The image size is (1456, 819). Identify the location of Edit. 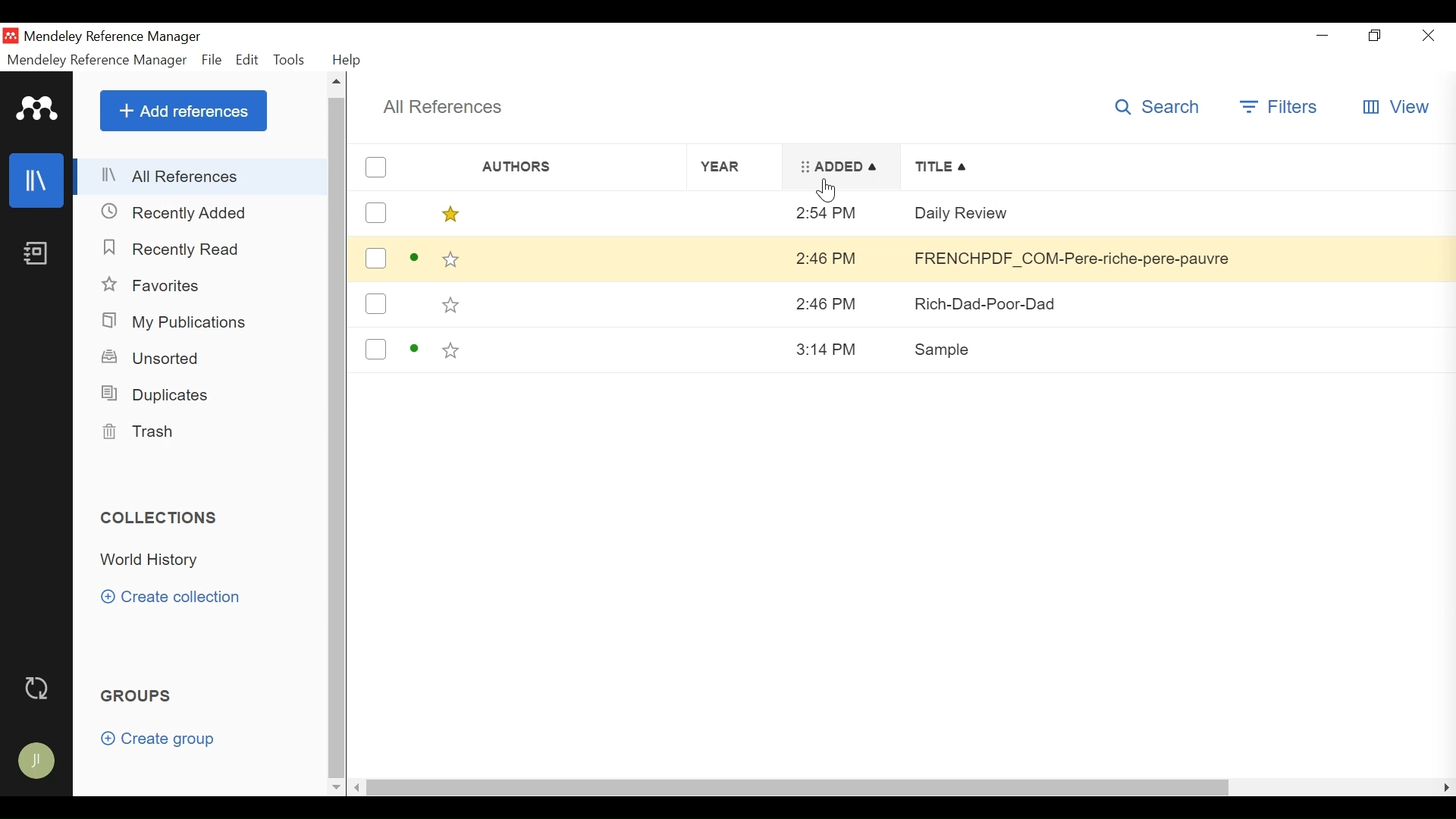
(249, 60).